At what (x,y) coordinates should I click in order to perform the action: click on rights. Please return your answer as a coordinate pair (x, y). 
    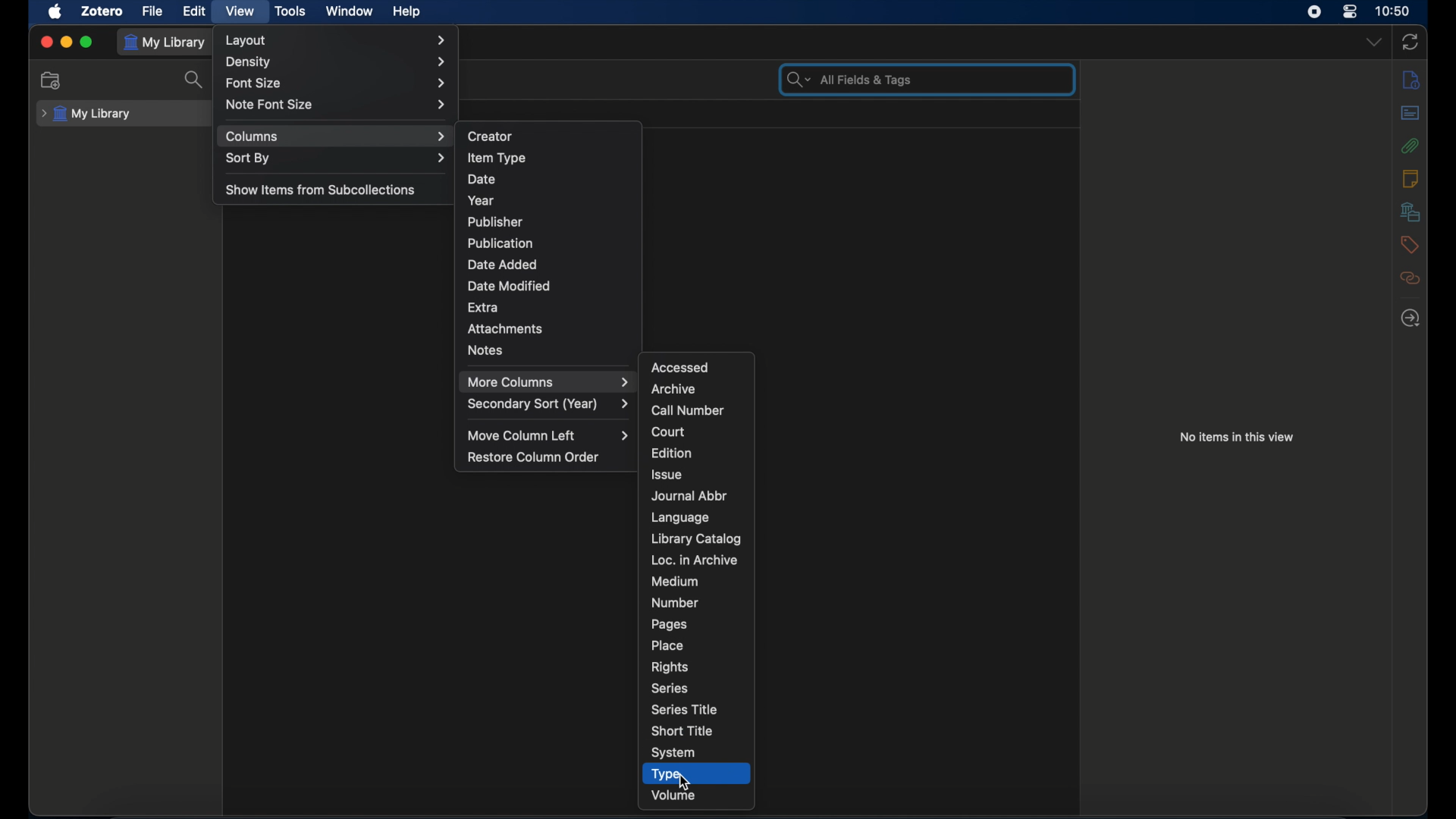
    Looking at the image, I should click on (670, 667).